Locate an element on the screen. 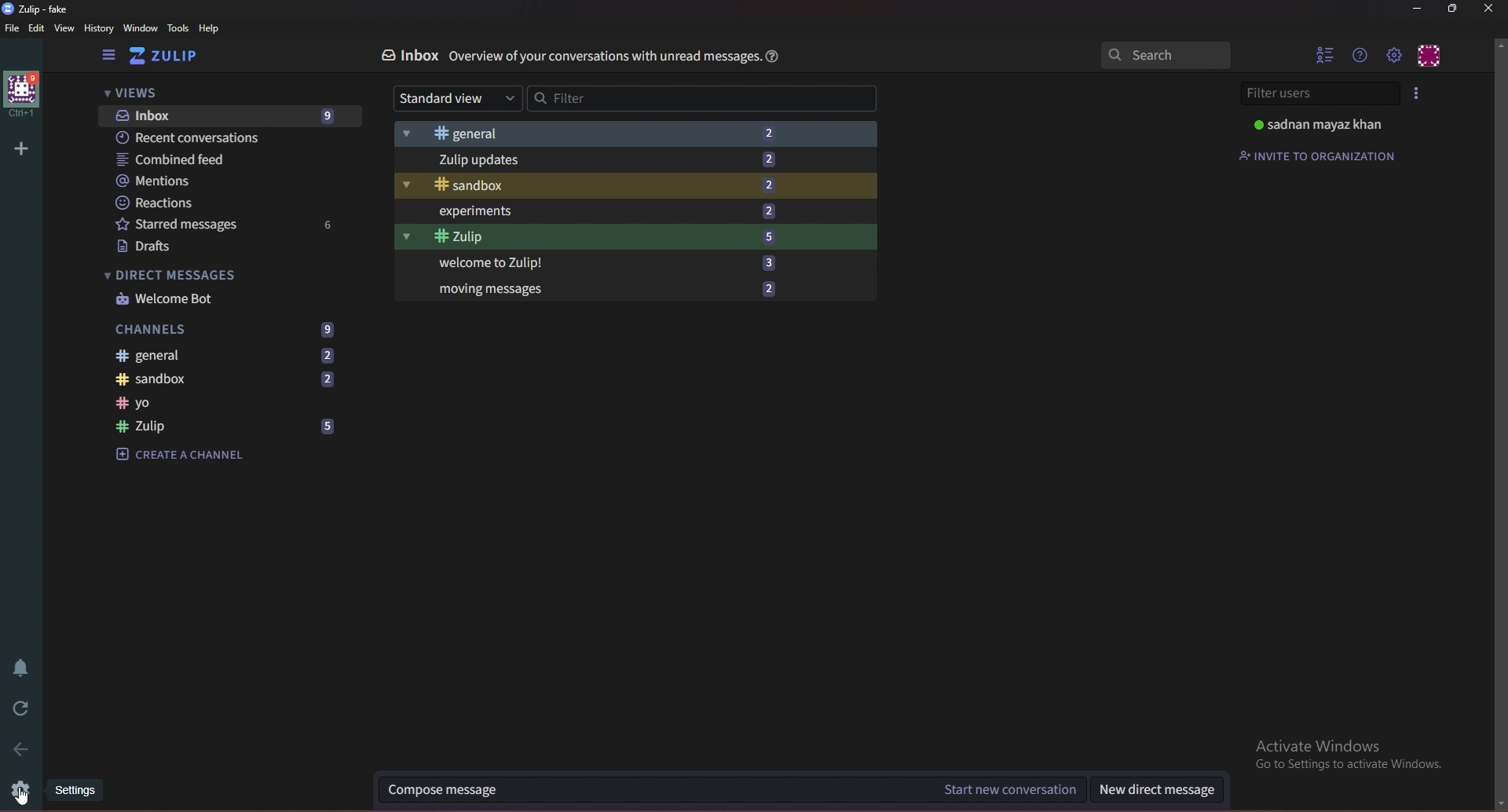  User list style is located at coordinates (1418, 93).